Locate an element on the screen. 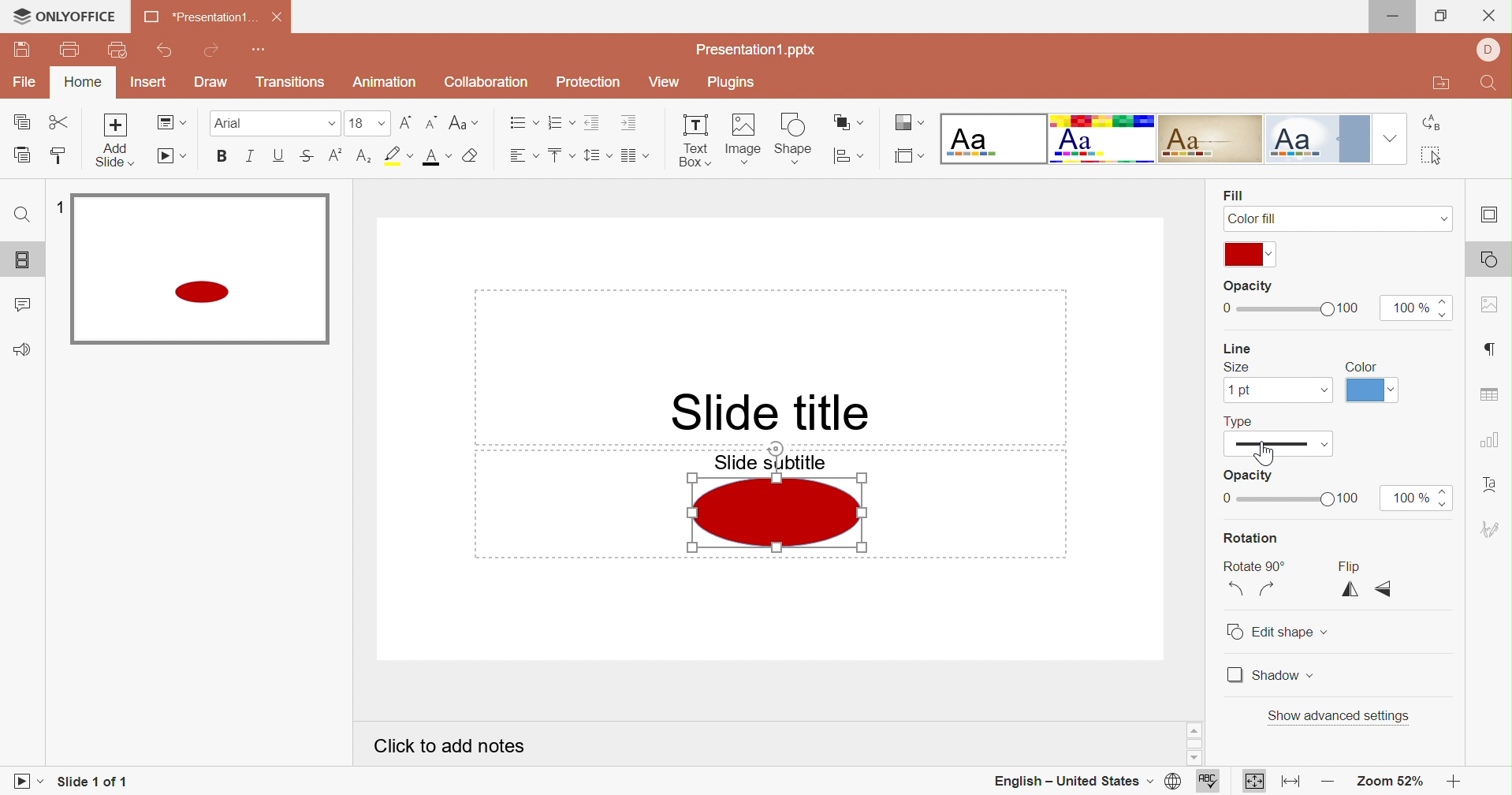 The width and height of the screenshot is (1512, 795). Zoom 52% is located at coordinates (1391, 782).